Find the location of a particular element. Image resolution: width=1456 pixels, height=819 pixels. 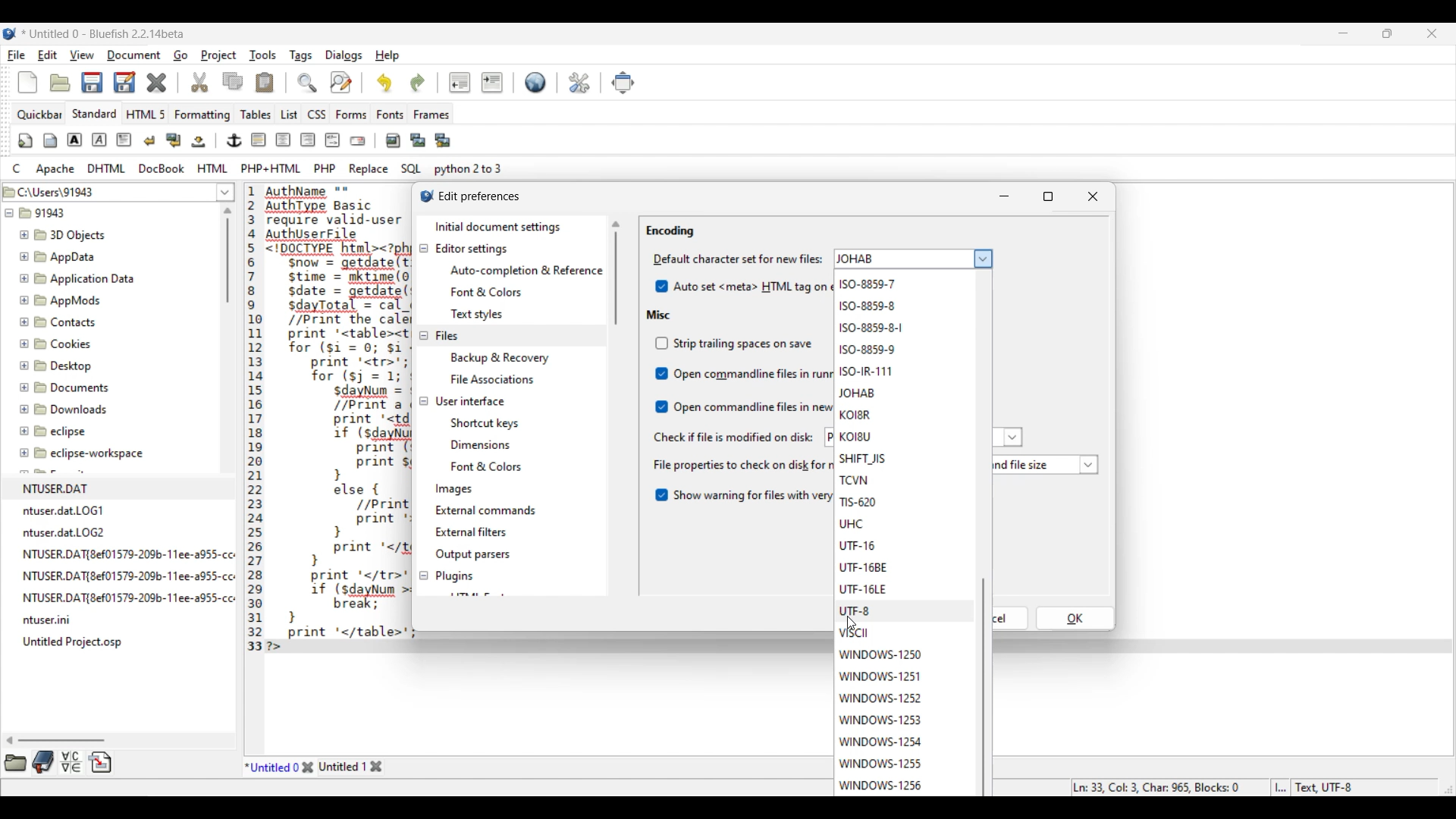

Status bar is located at coordinates (1214, 787).